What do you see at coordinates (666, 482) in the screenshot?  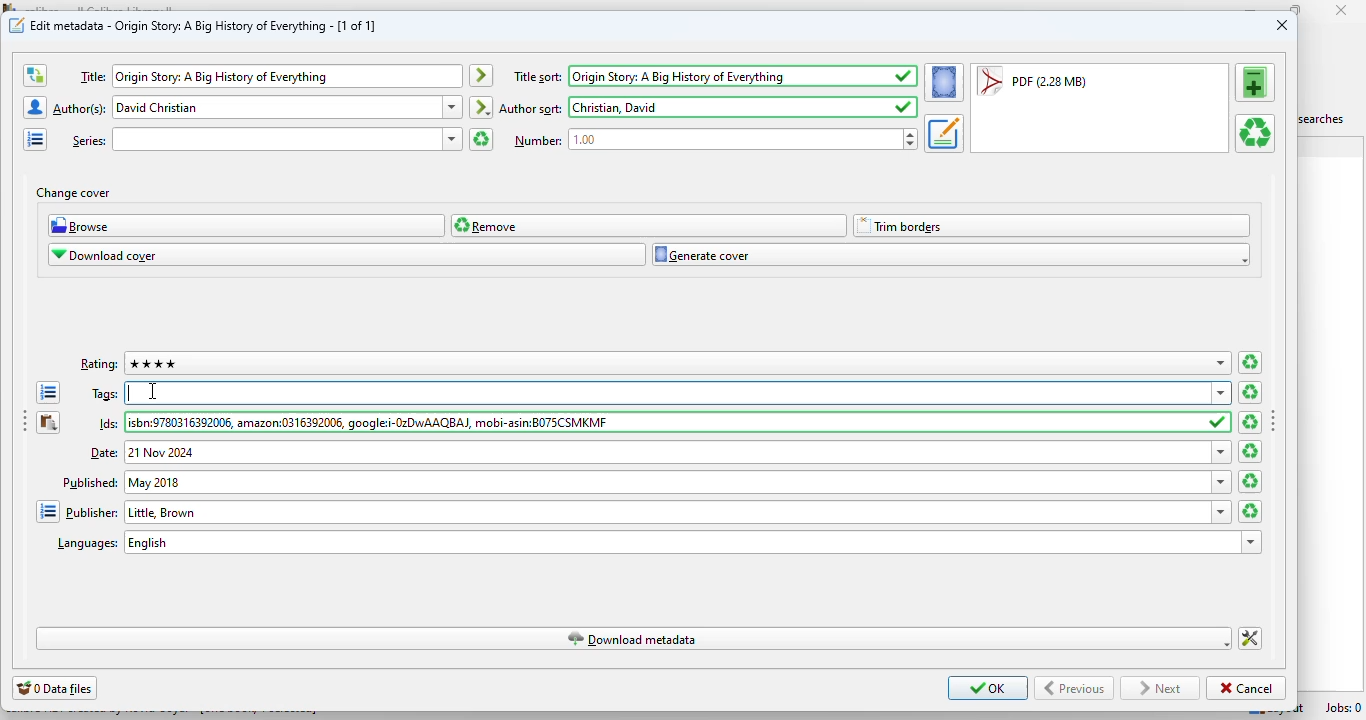 I see `Published: May 2018` at bounding box center [666, 482].